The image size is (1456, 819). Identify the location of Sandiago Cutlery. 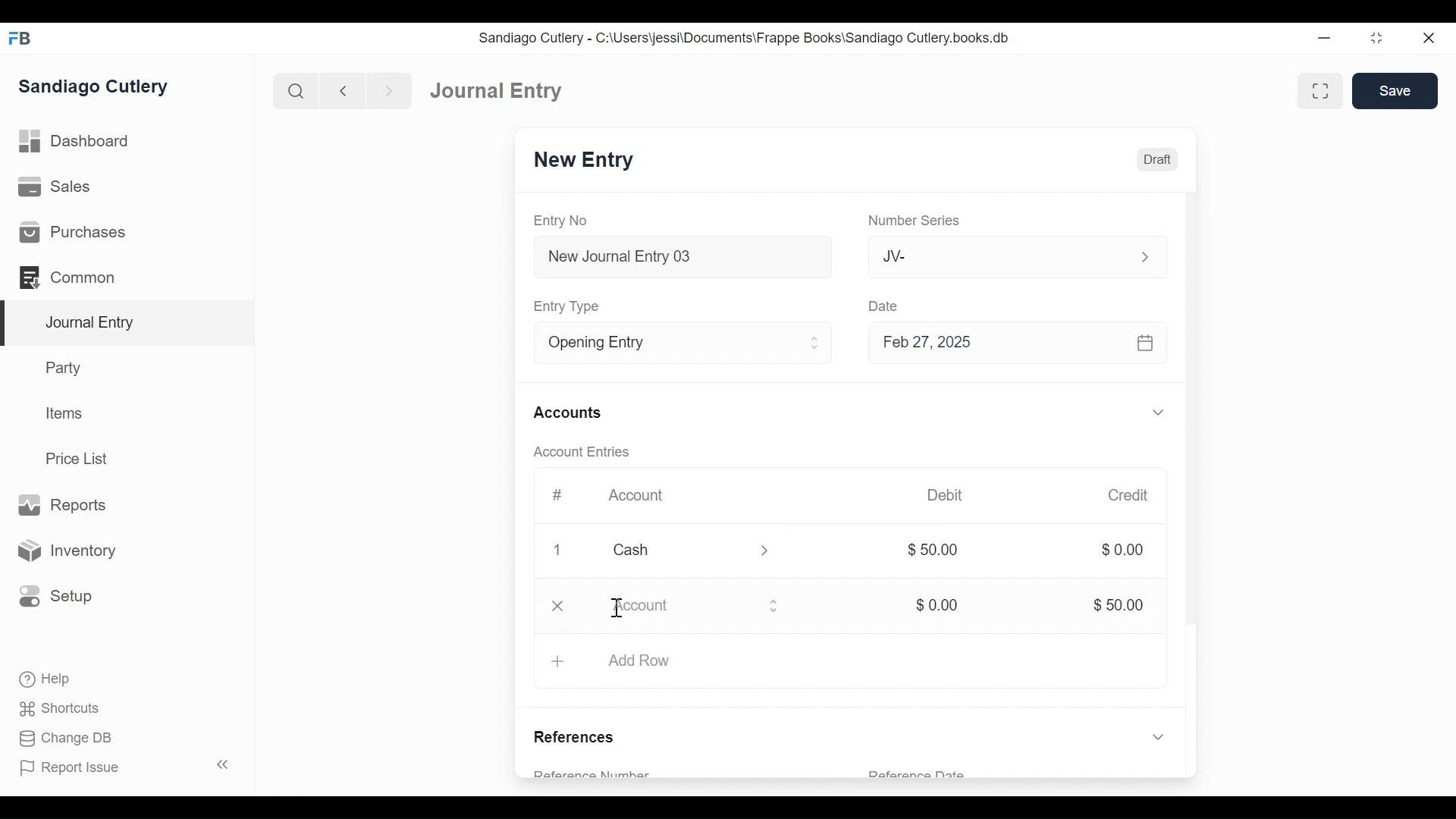
(96, 88).